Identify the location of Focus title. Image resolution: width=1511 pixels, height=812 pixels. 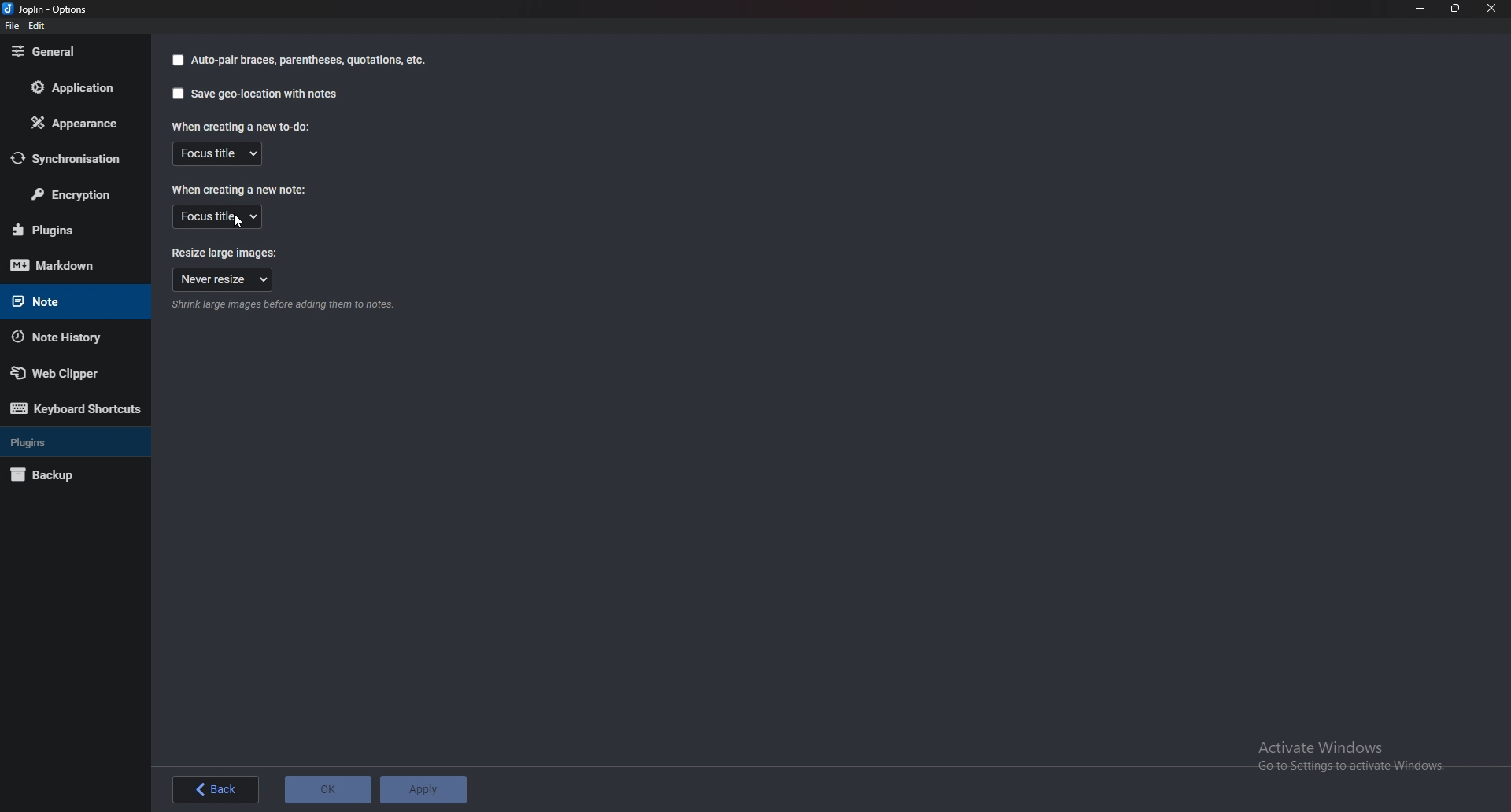
(218, 217).